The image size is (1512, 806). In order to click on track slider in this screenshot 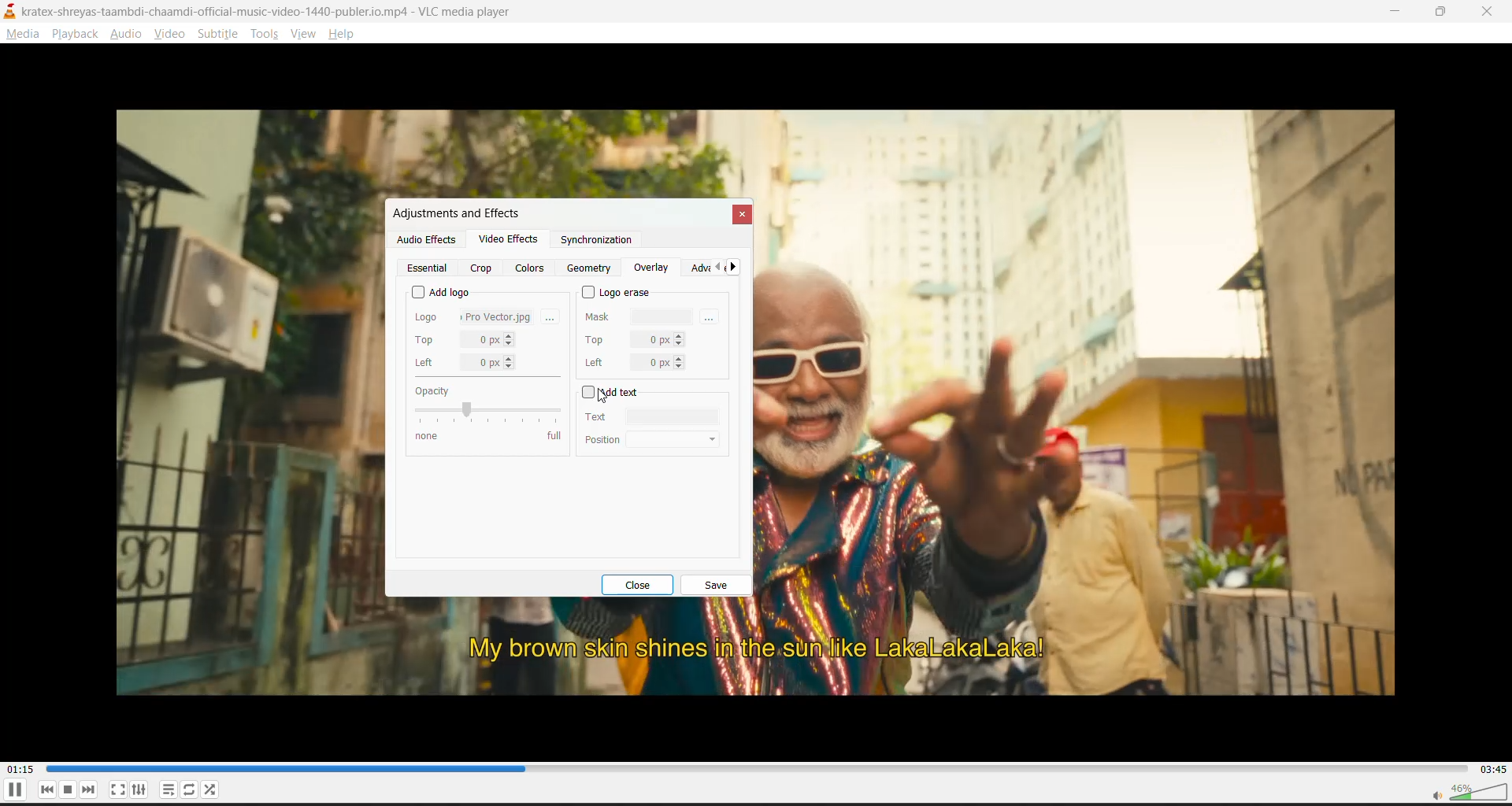, I will do `click(752, 769)`.